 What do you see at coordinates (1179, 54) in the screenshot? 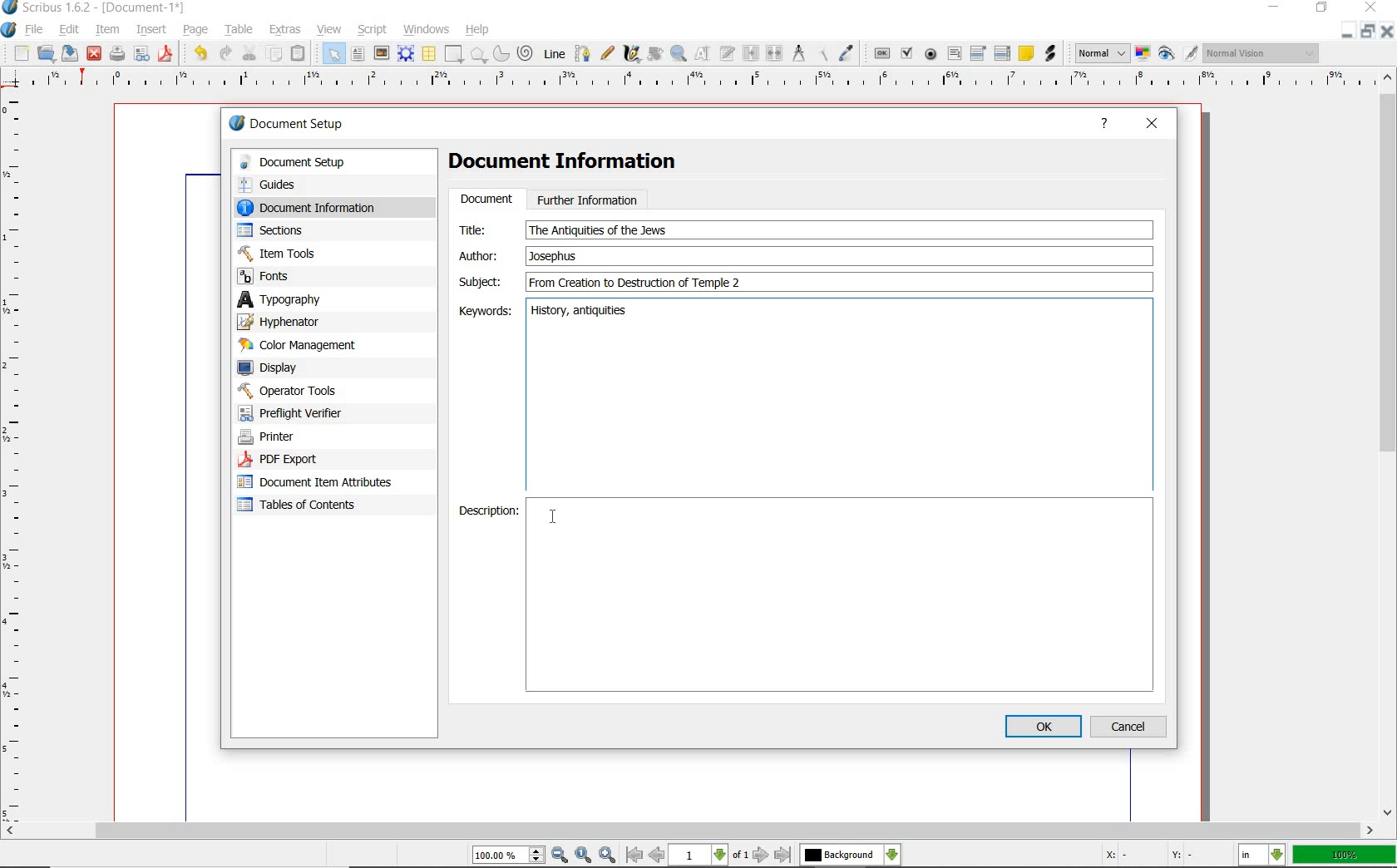
I see `preview mode` at bounding box center [1179, 54].